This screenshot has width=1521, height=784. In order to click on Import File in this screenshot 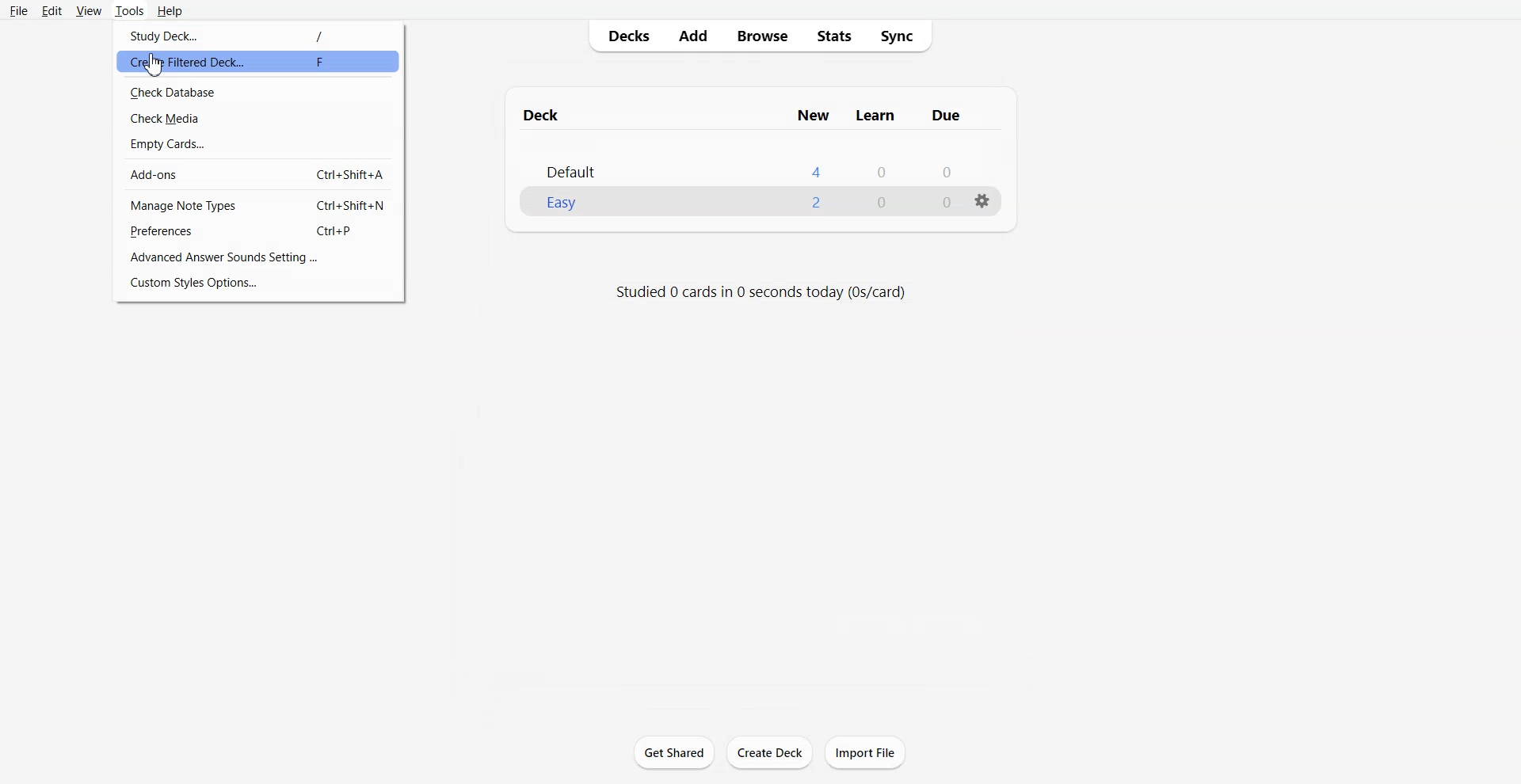, I will do `click(865, 752)`.